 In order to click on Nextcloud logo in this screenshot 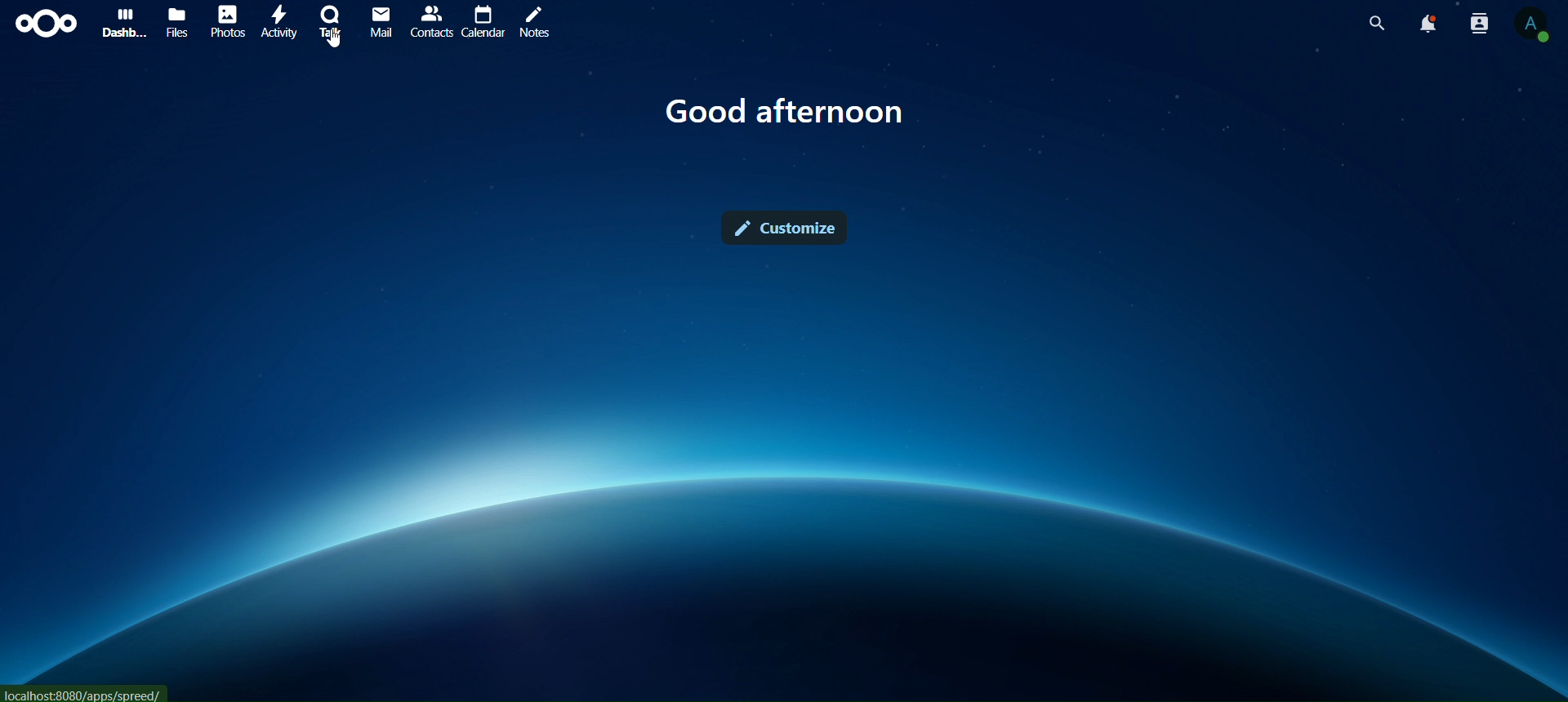, I will do `click(42, 22)`.